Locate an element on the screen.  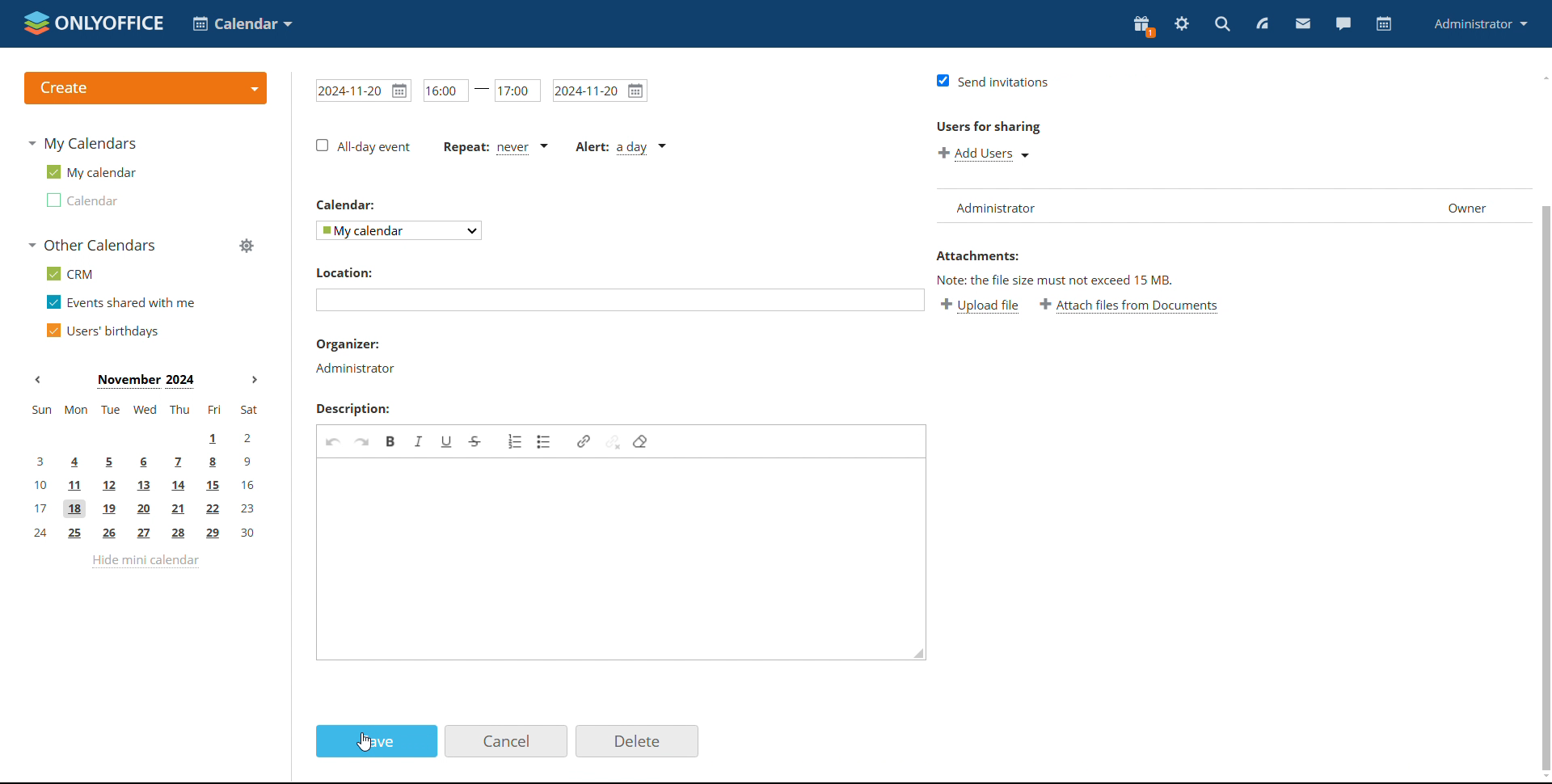
hide mini calendar is located at coordinates (145, 561).